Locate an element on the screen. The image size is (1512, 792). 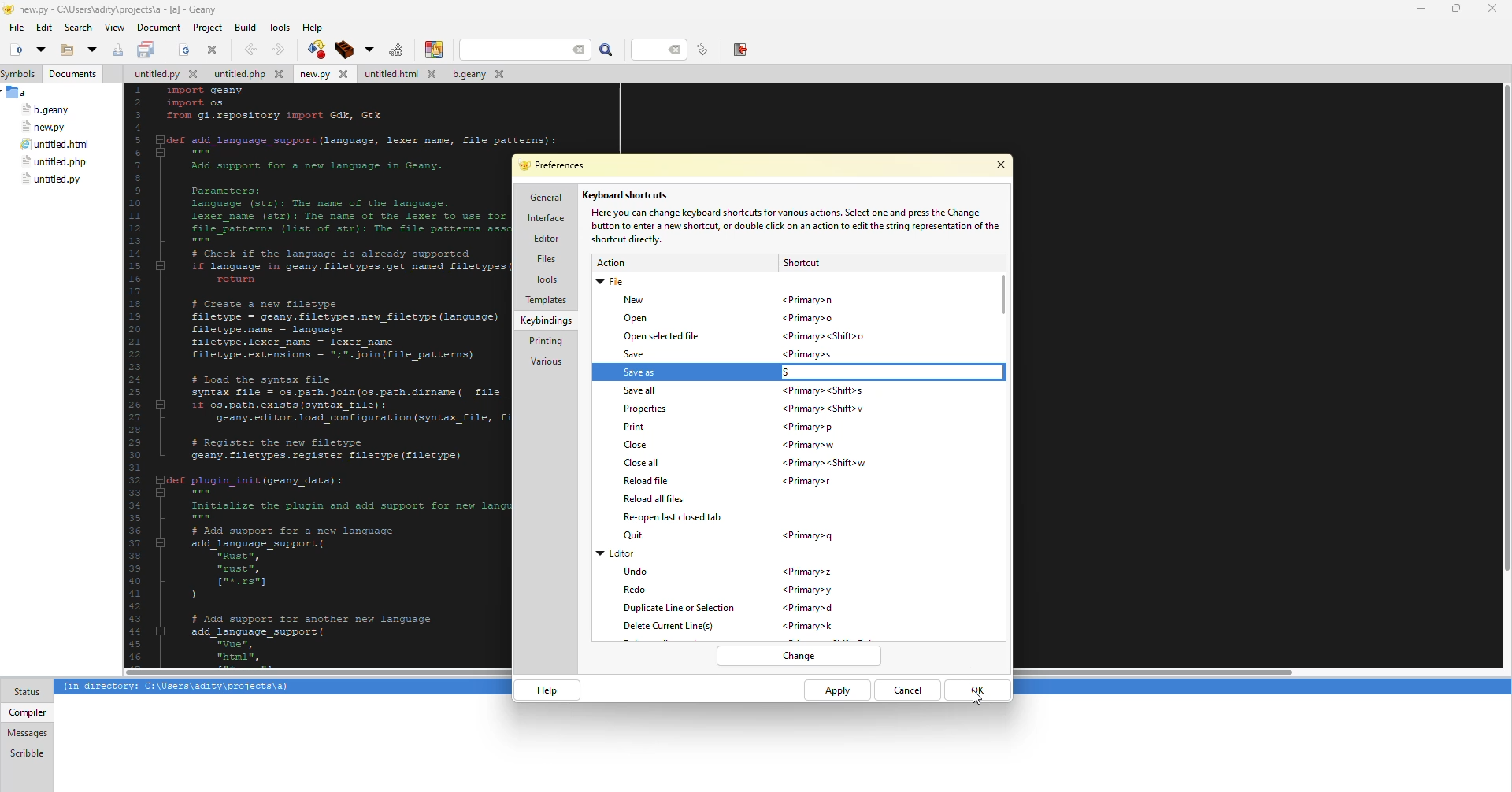
open is located at coordinates (63, 51).